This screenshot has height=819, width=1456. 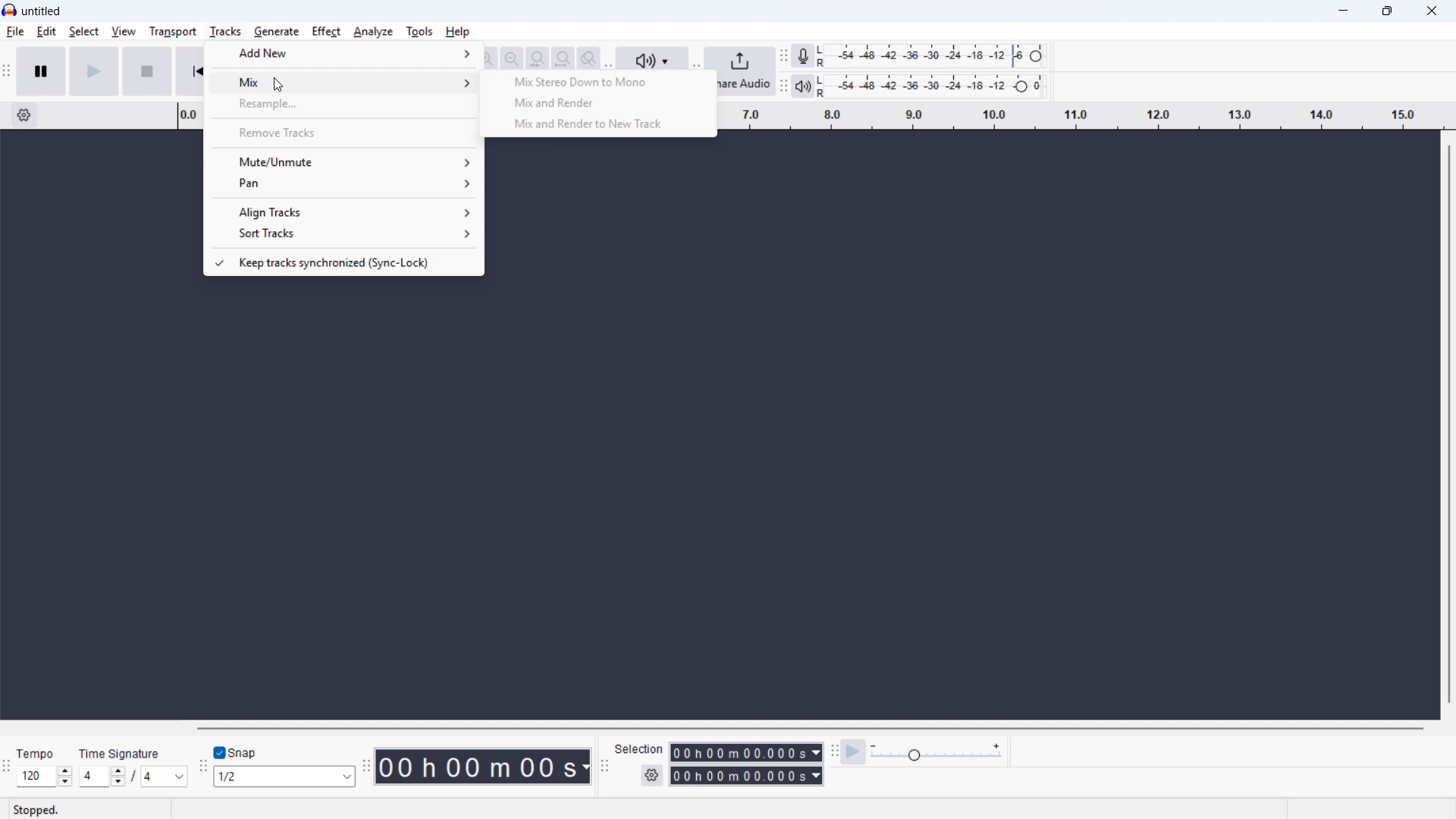 What do you see at coordinates (285, 777) in the screenshot?
I see `Set snapping ` at bounding box center [285, 777].